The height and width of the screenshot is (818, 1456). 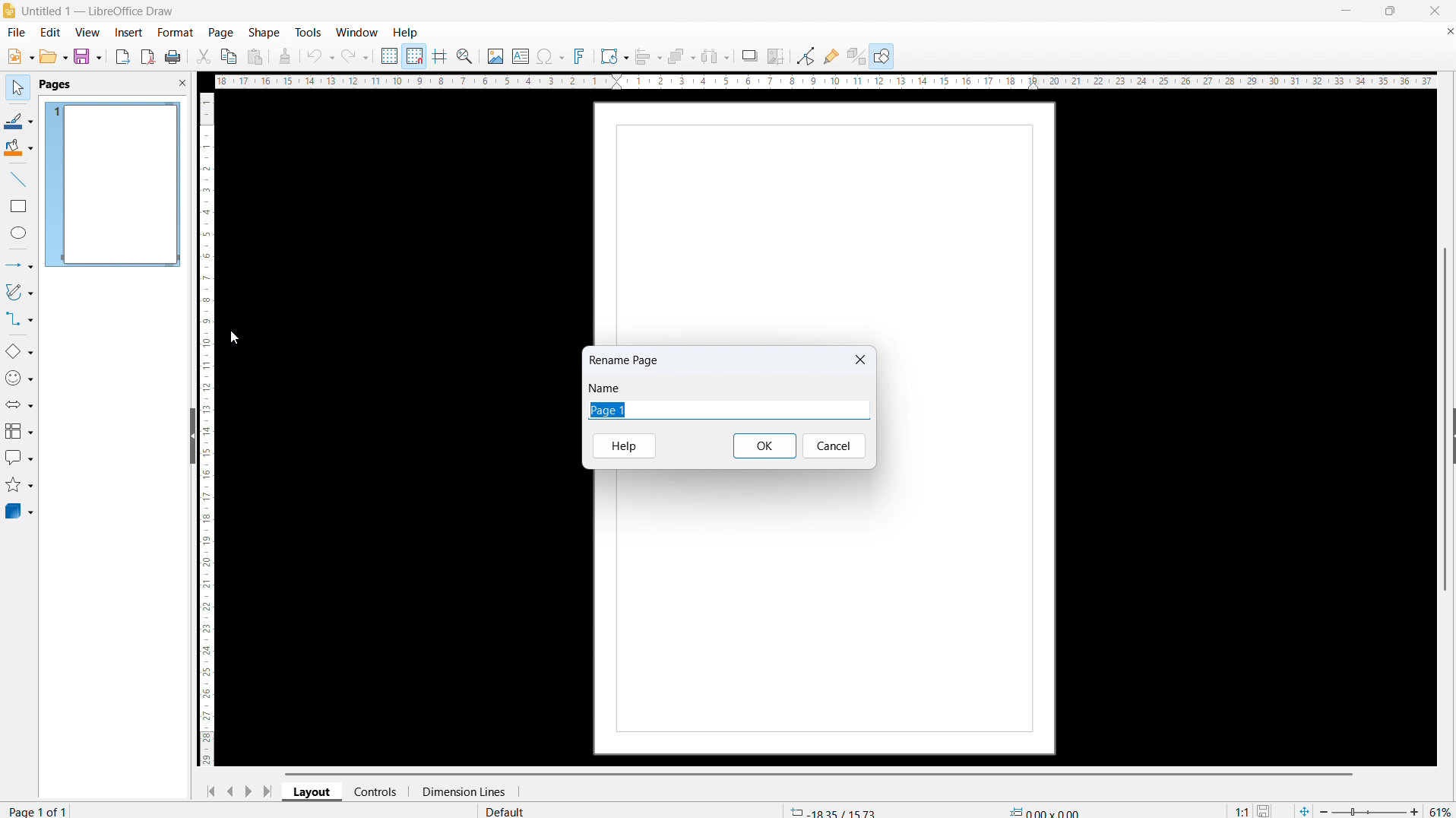 What do you see at coordinates (580, 56) in the screenshot?
I see `insert fontwork text` at bounding box center [580, 56].